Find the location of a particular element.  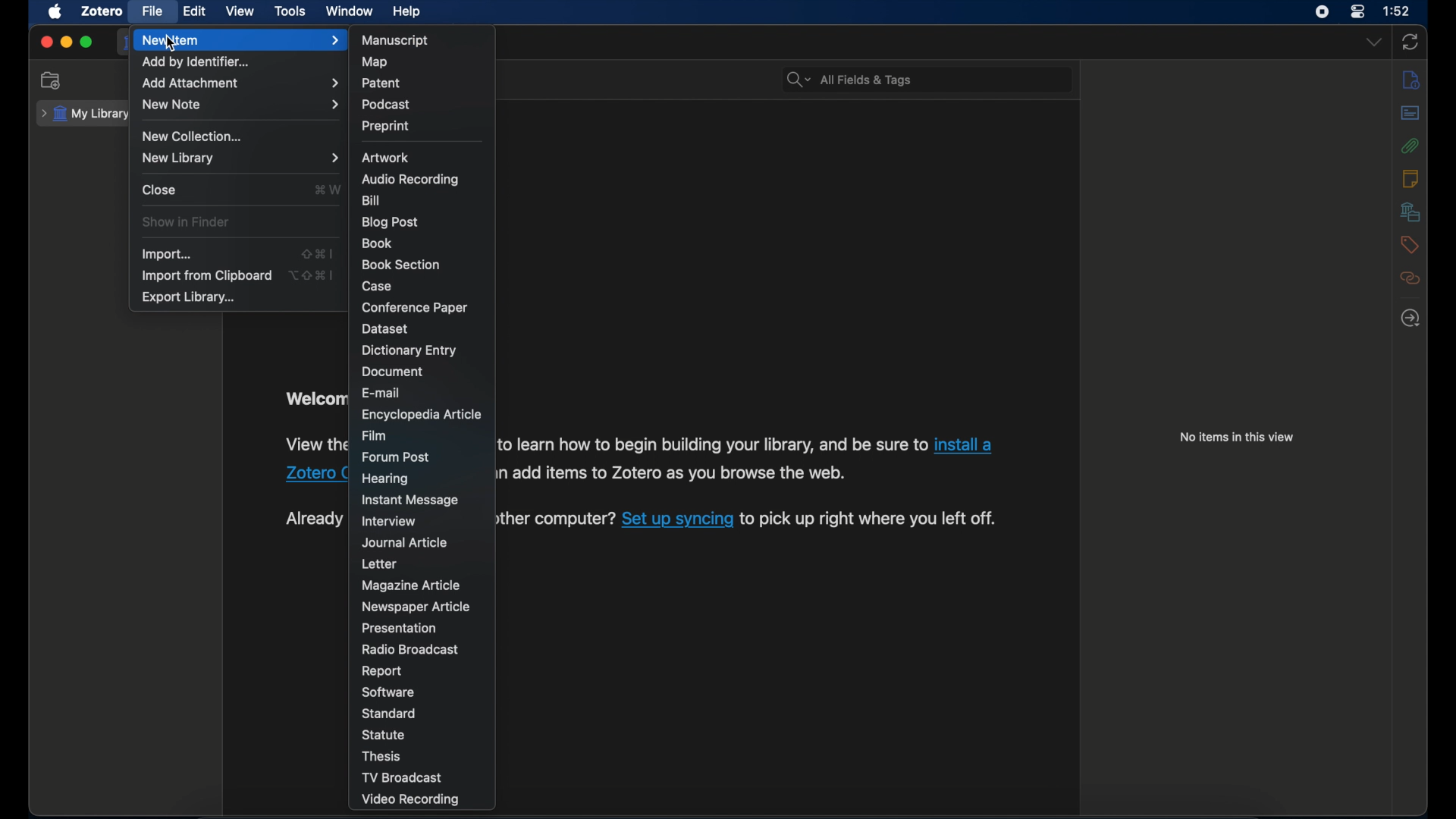

add attachment is located at coordinates (240, 83).